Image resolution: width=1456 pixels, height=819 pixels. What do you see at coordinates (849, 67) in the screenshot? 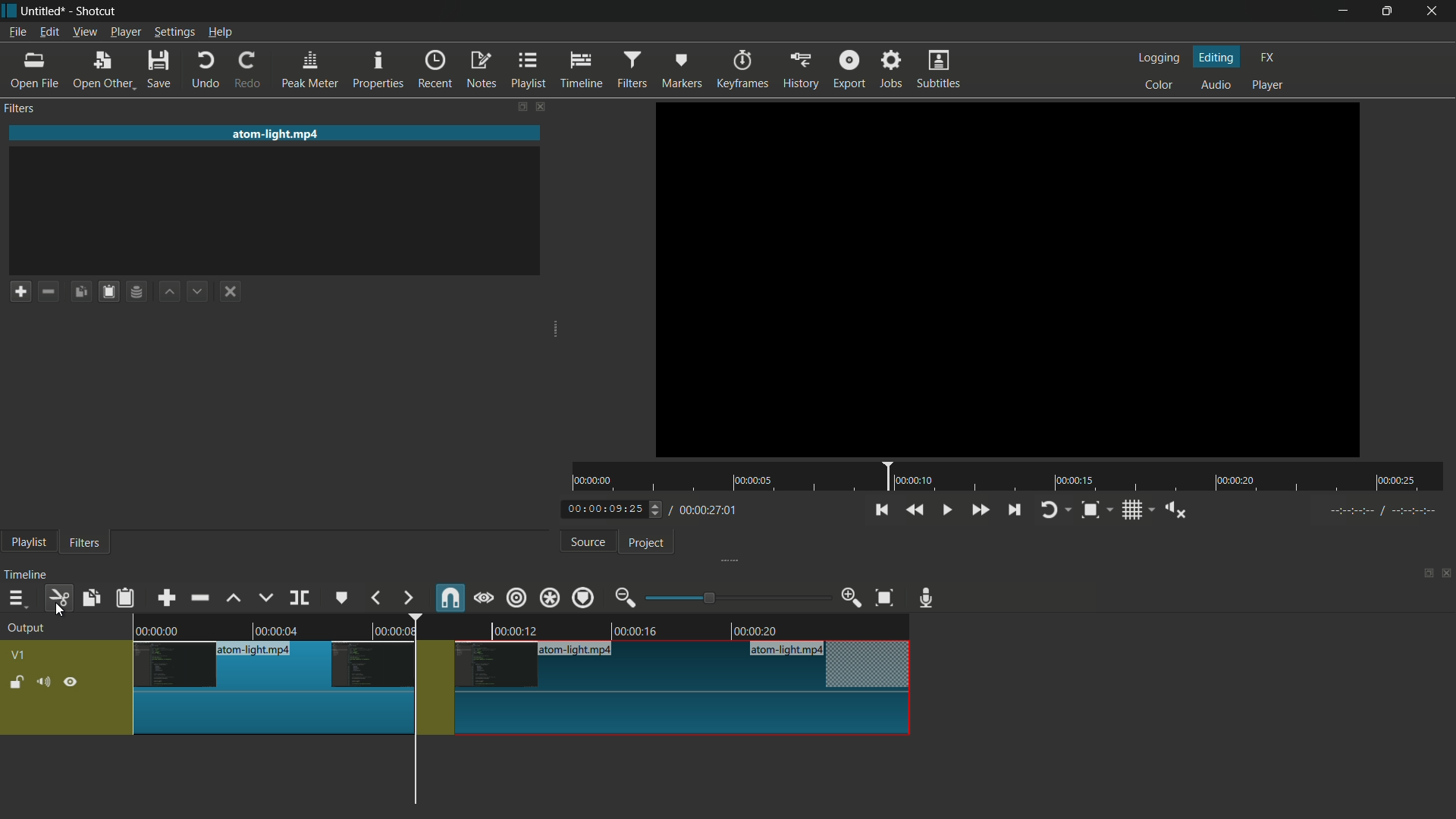
I see `export` at bounding box center [849, 67].